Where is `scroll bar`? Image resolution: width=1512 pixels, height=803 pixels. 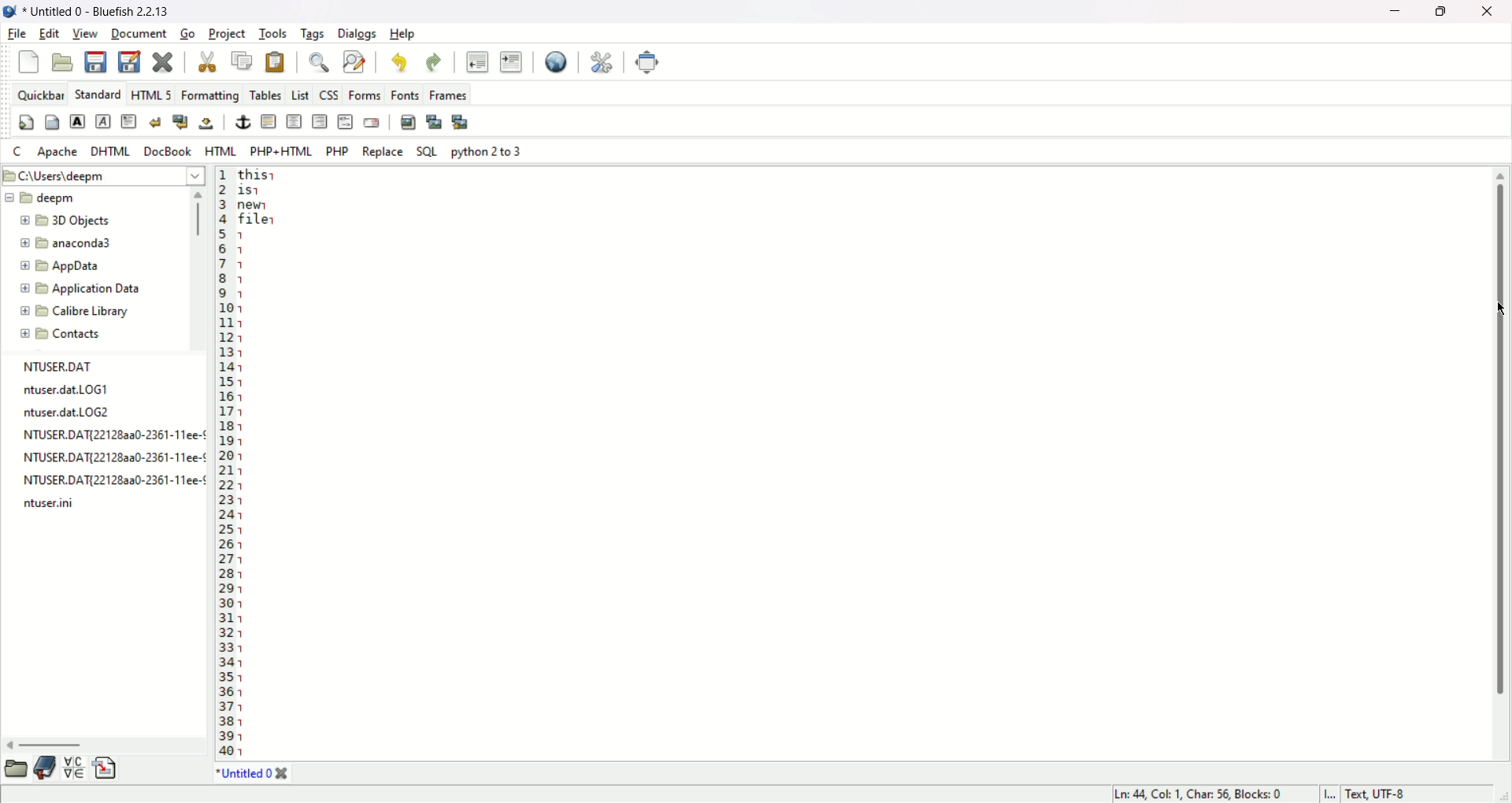
scroll bar is located at coordinates (200, 269).